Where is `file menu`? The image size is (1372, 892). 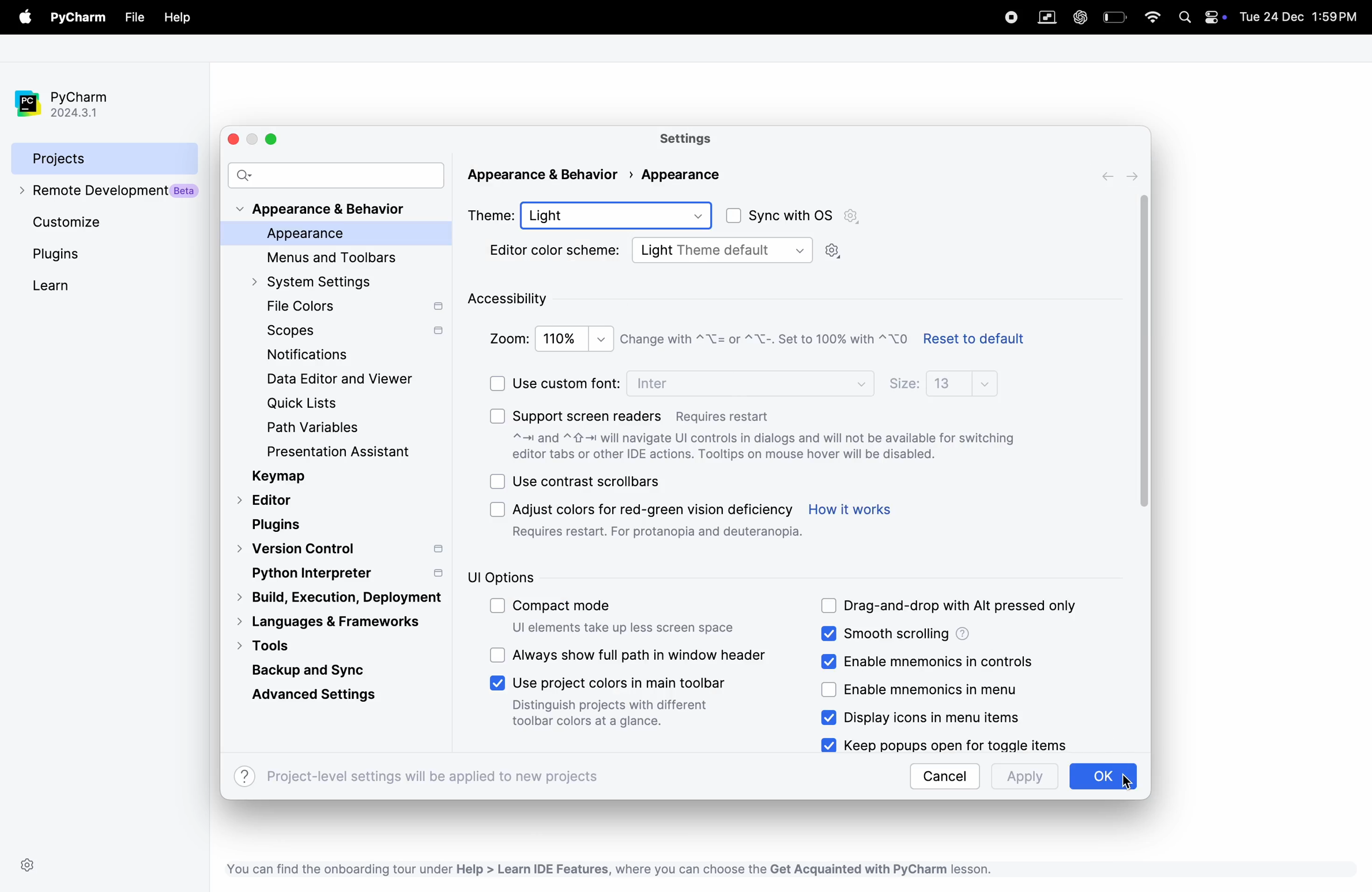
file menu is located at coordinates (22, 17).